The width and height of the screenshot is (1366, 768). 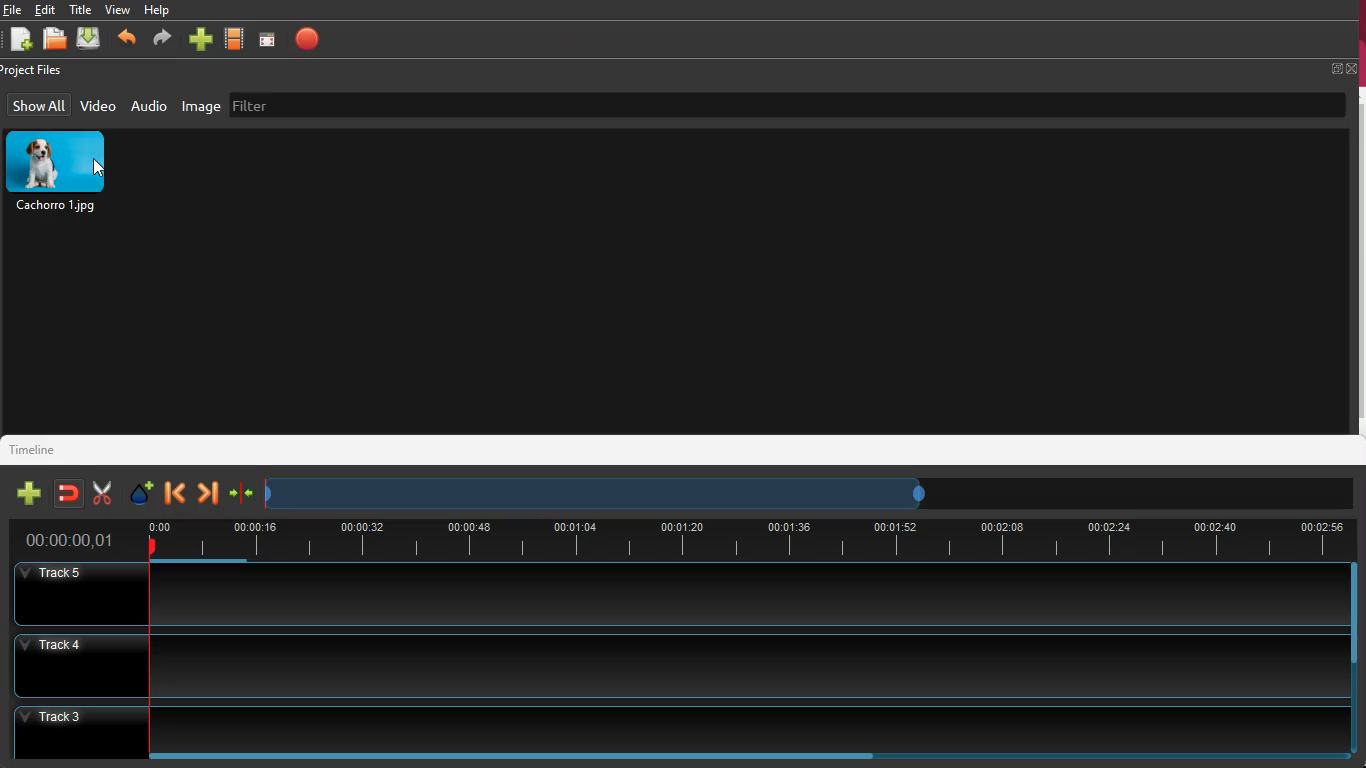 What do you see at coordinates (20, 40) in the screenshot?
I see `new` at bounding box center [20, 40].